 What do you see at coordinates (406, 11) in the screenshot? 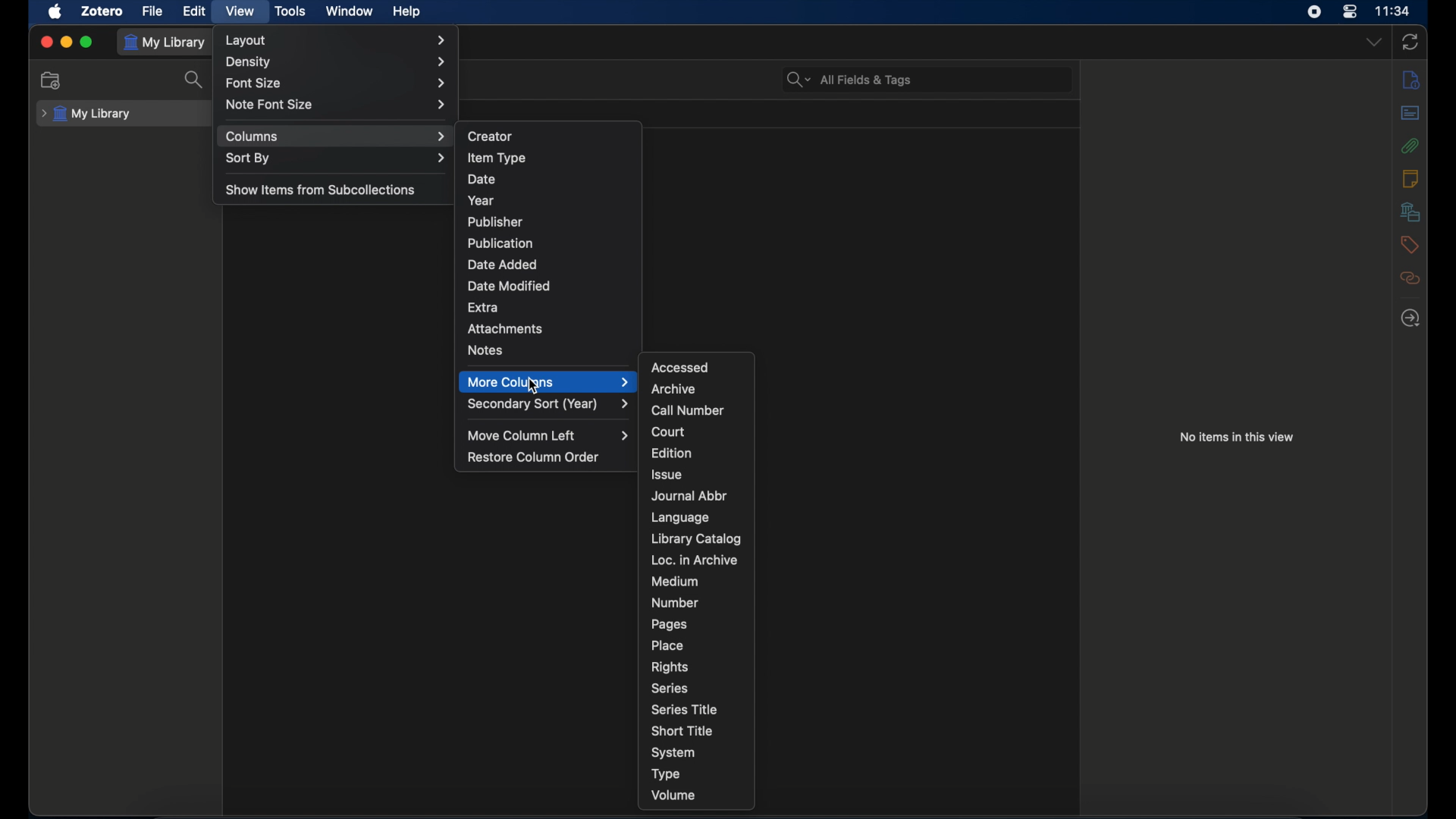
I see `help` at bounding box center [406, 11].